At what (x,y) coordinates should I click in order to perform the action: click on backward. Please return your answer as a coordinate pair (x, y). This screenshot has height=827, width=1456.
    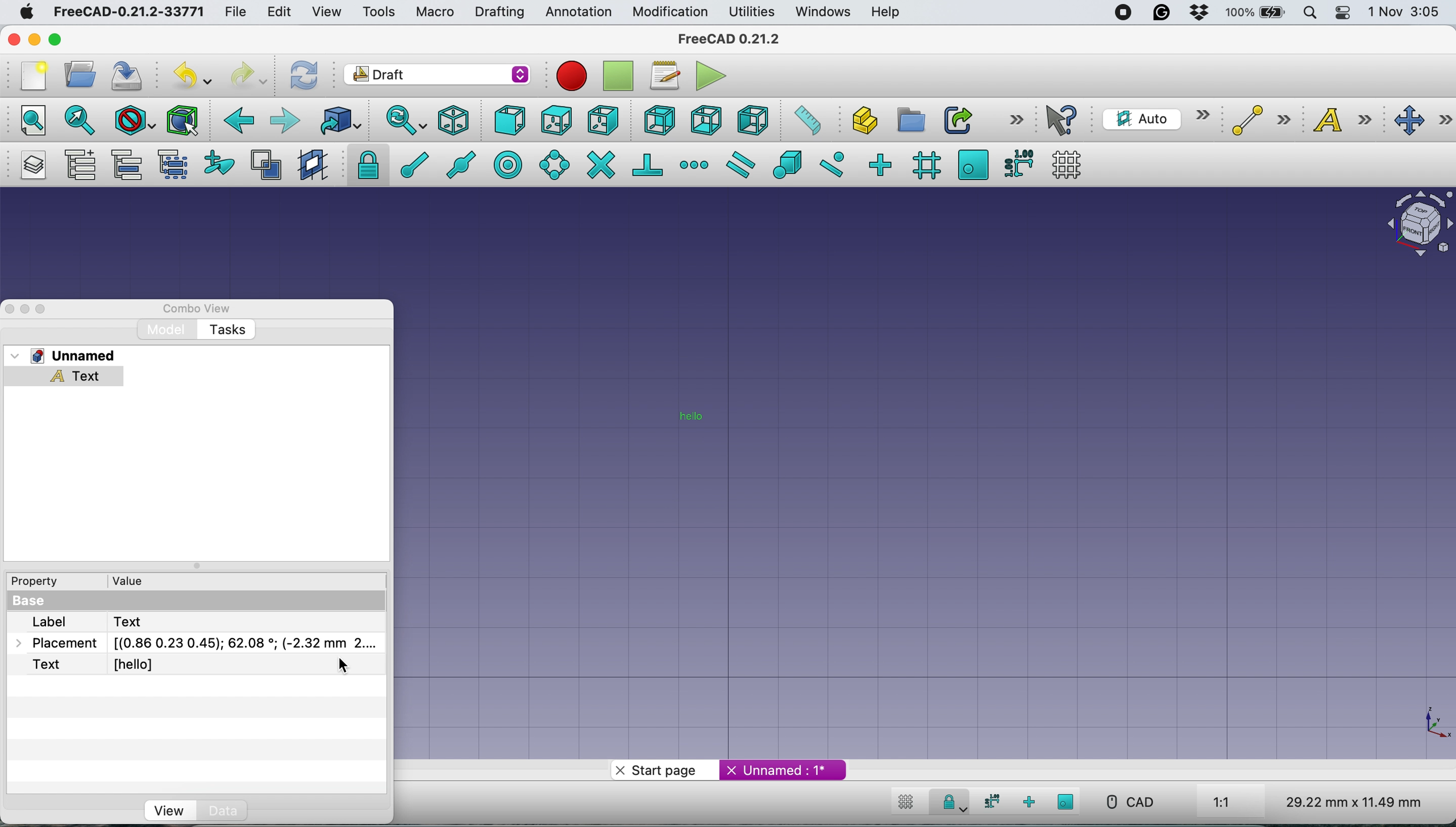
    Looking at the image, I should click on (233, 120).